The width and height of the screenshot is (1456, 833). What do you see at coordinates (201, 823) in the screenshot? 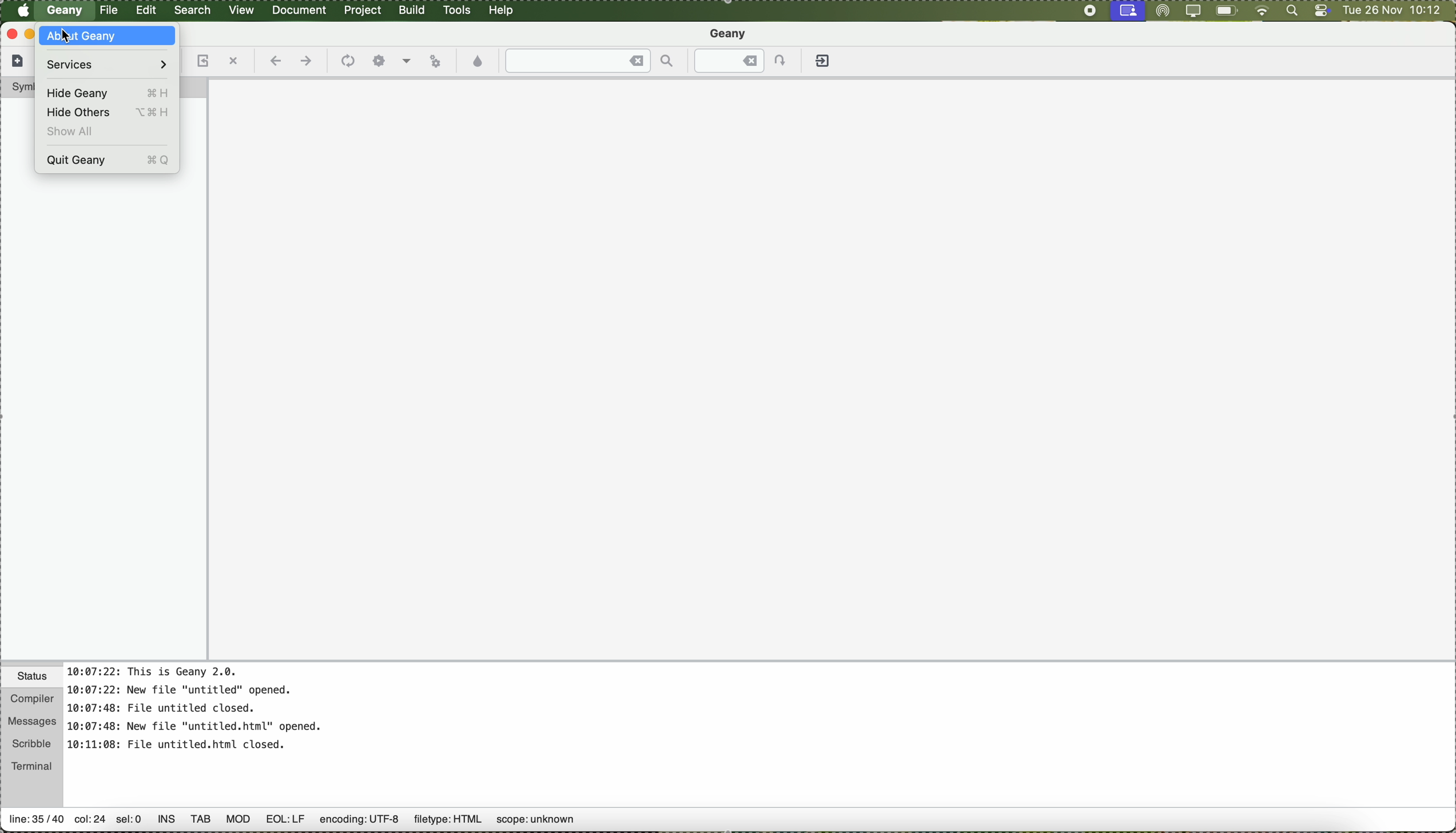
I see `TAB` at bounding box center [201, 823].